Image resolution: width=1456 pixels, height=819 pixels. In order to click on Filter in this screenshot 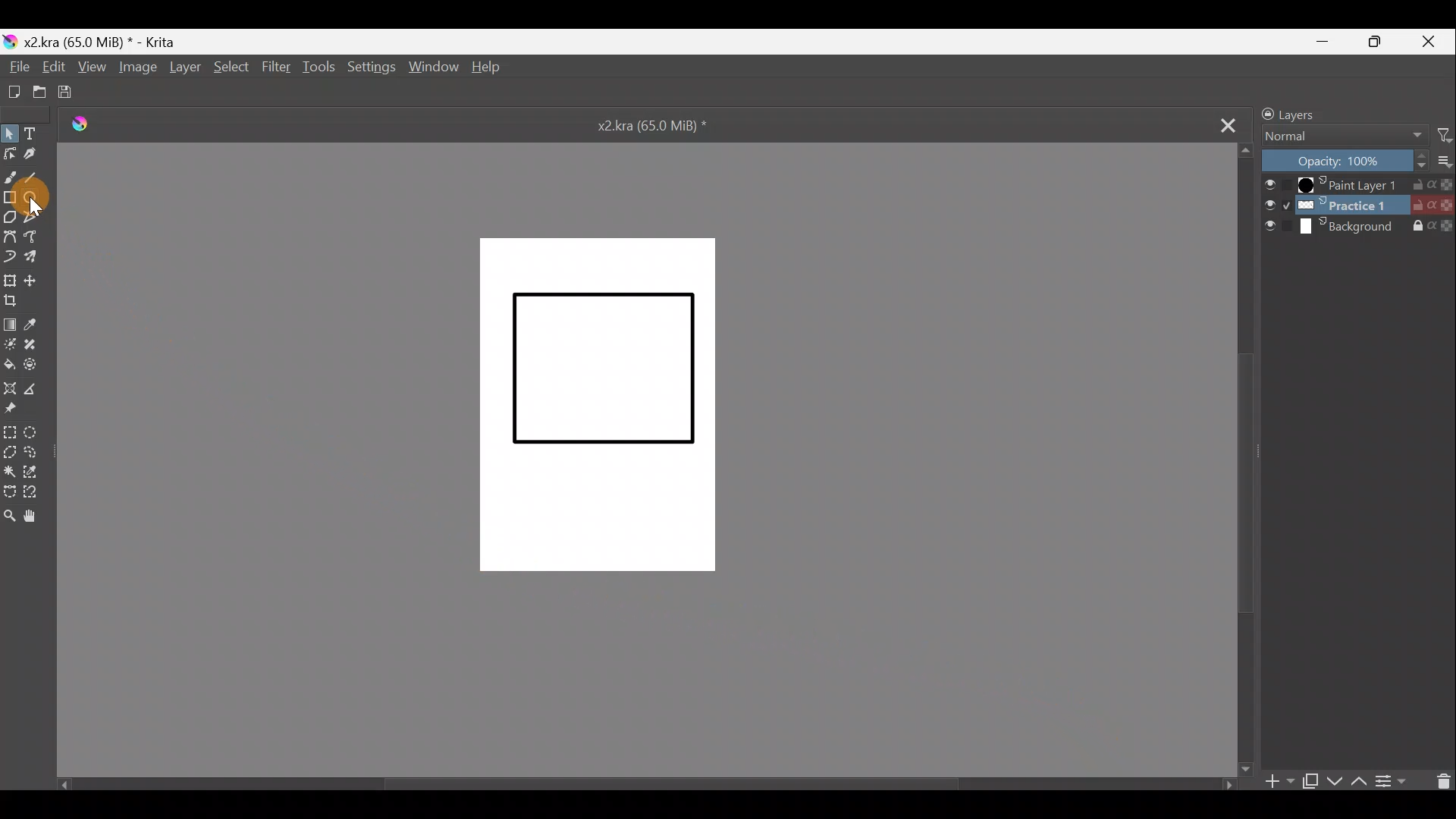, I will do `click(1438, 136)`.